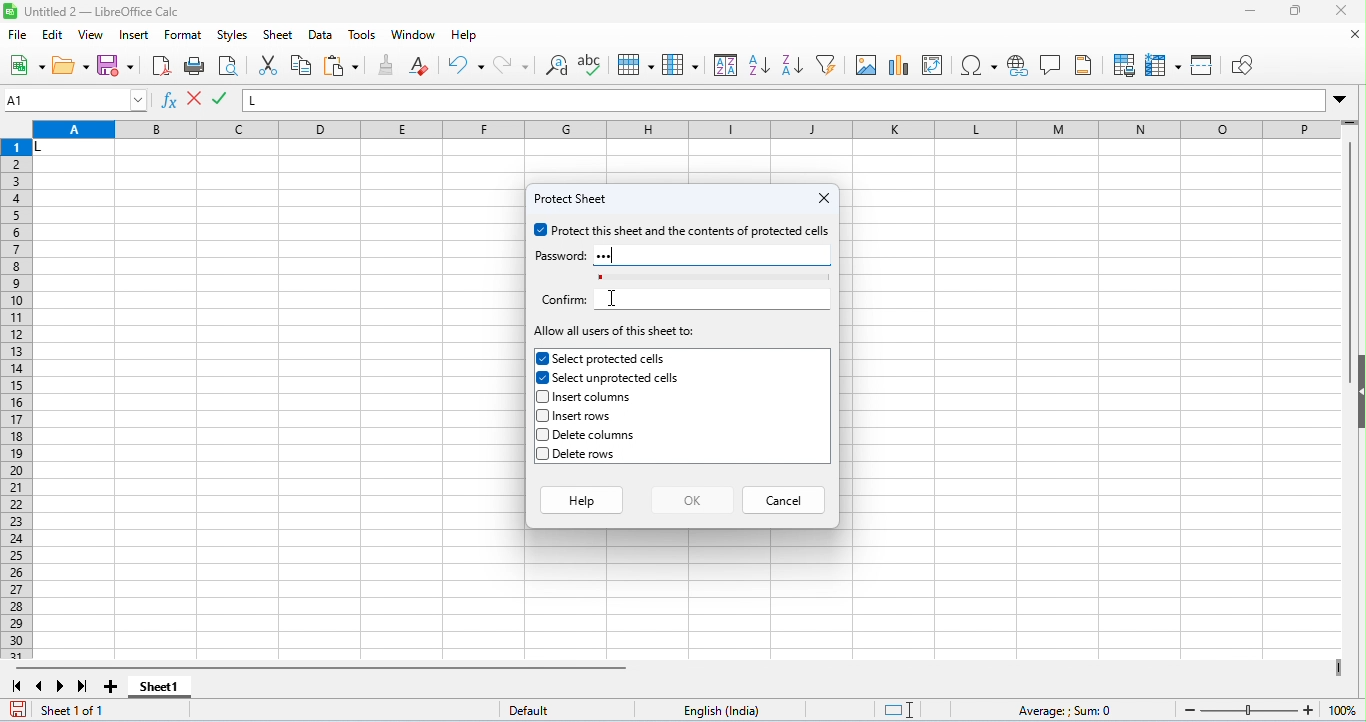  I want to click on drag to view next columns, so click(1338, 667).